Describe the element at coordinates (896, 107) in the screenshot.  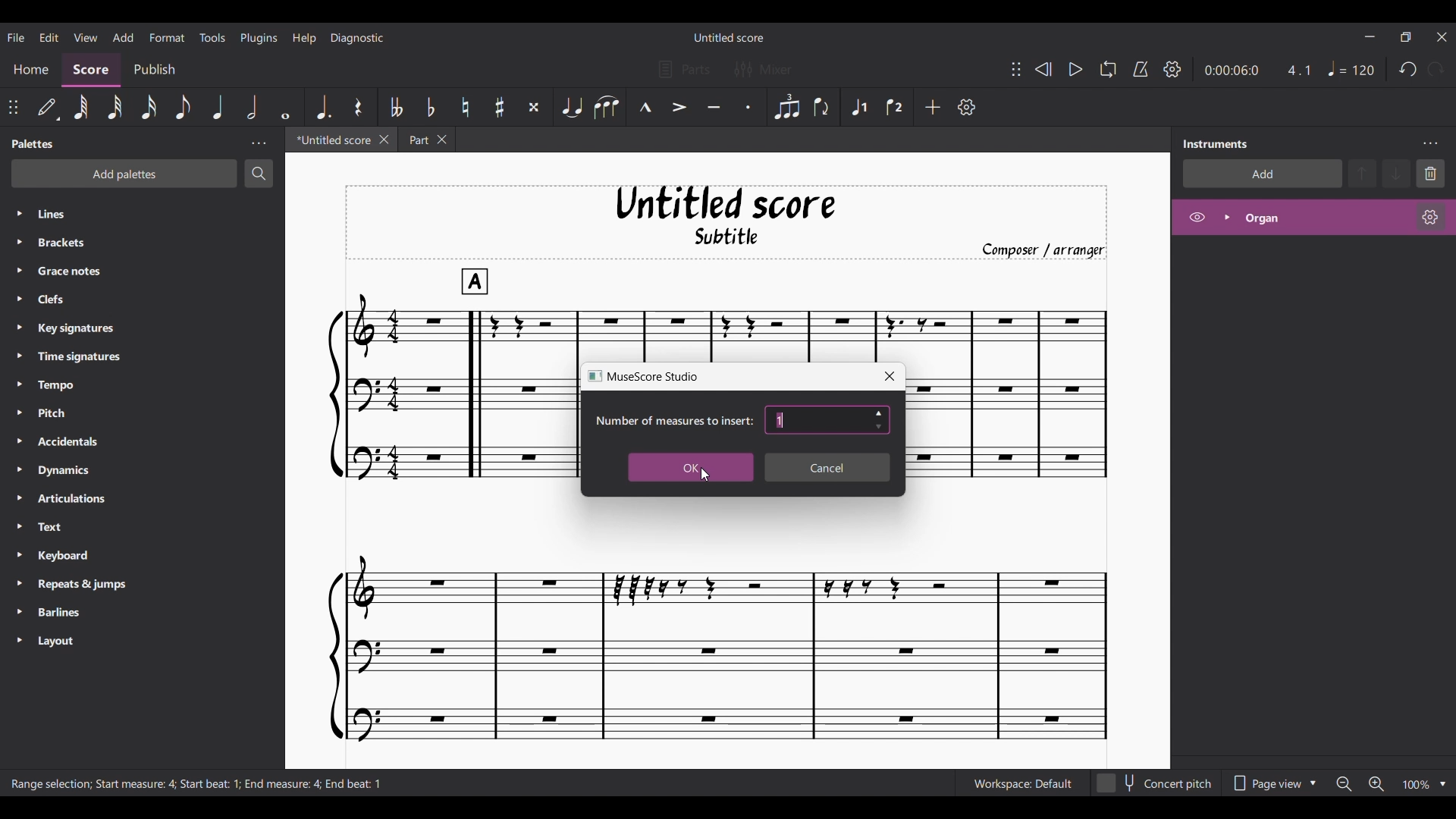
I see `Voice 2` at that location.